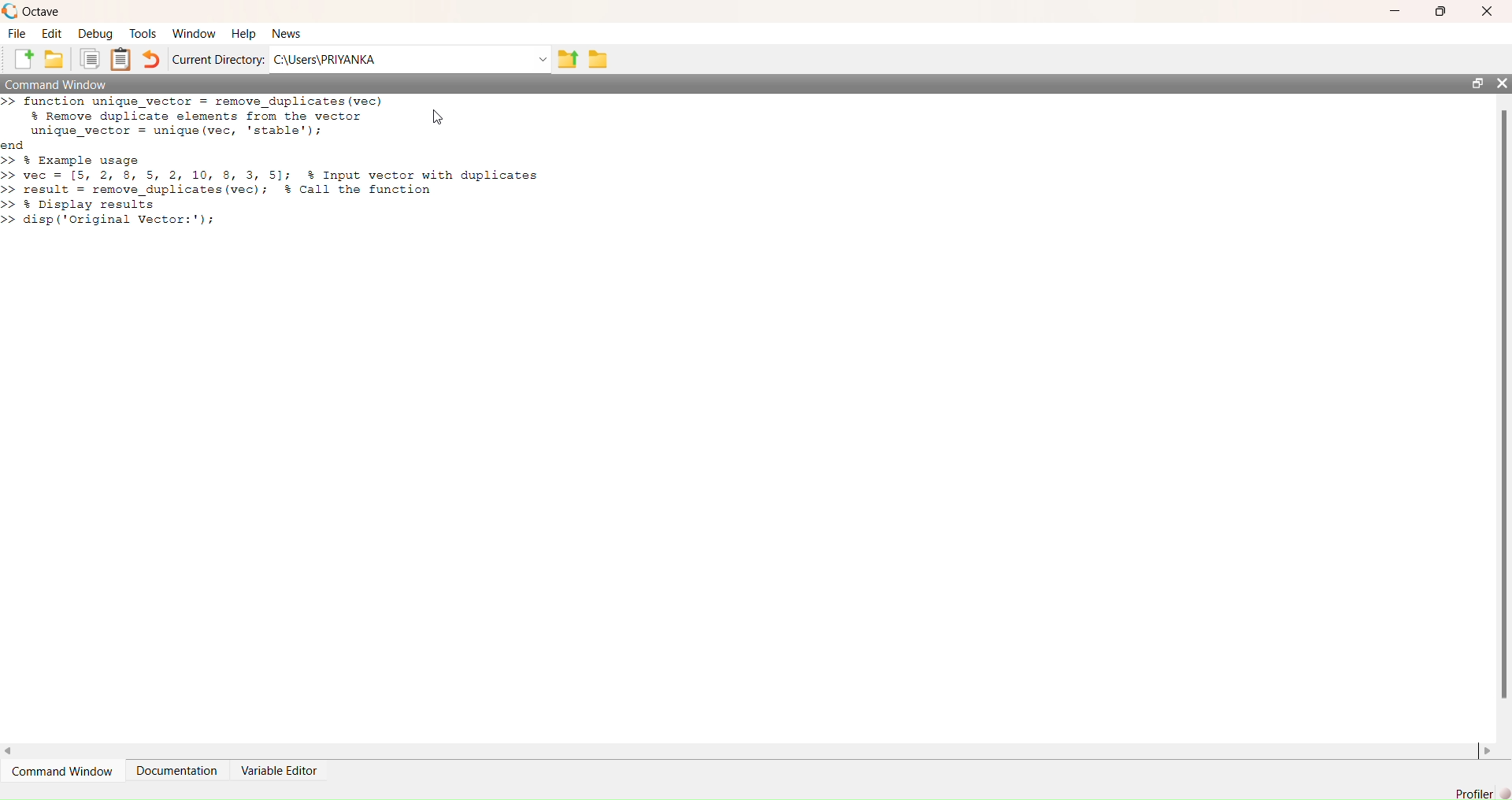 This screenshot has width=1512, height=800. Describe the element at coordinates (1440, 12) in the screenshot. I see `maximise` at that location.